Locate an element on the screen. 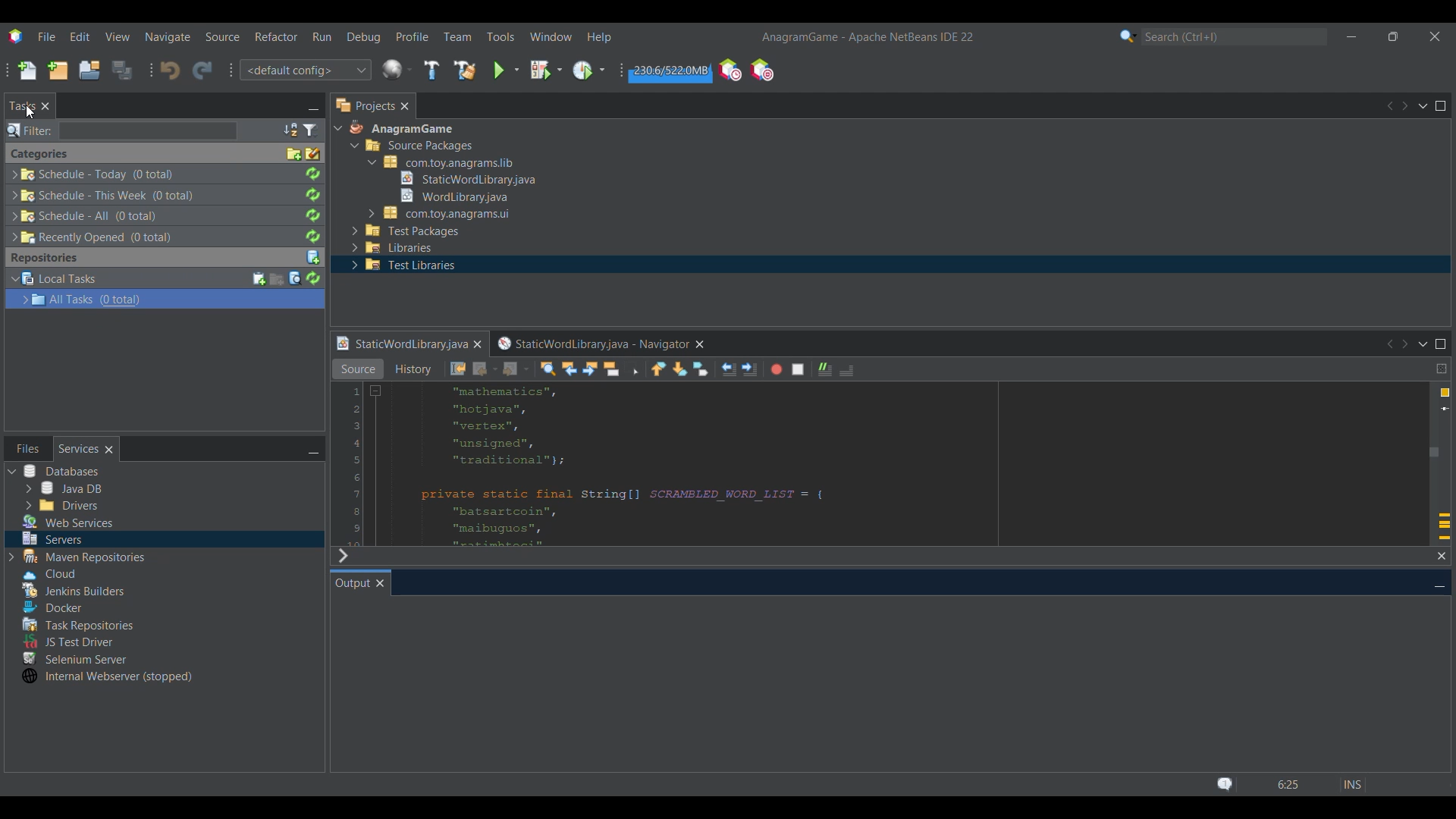 The height and width of the screenshot is (819, 1456). Other tab is located at coordinates (599, 344).